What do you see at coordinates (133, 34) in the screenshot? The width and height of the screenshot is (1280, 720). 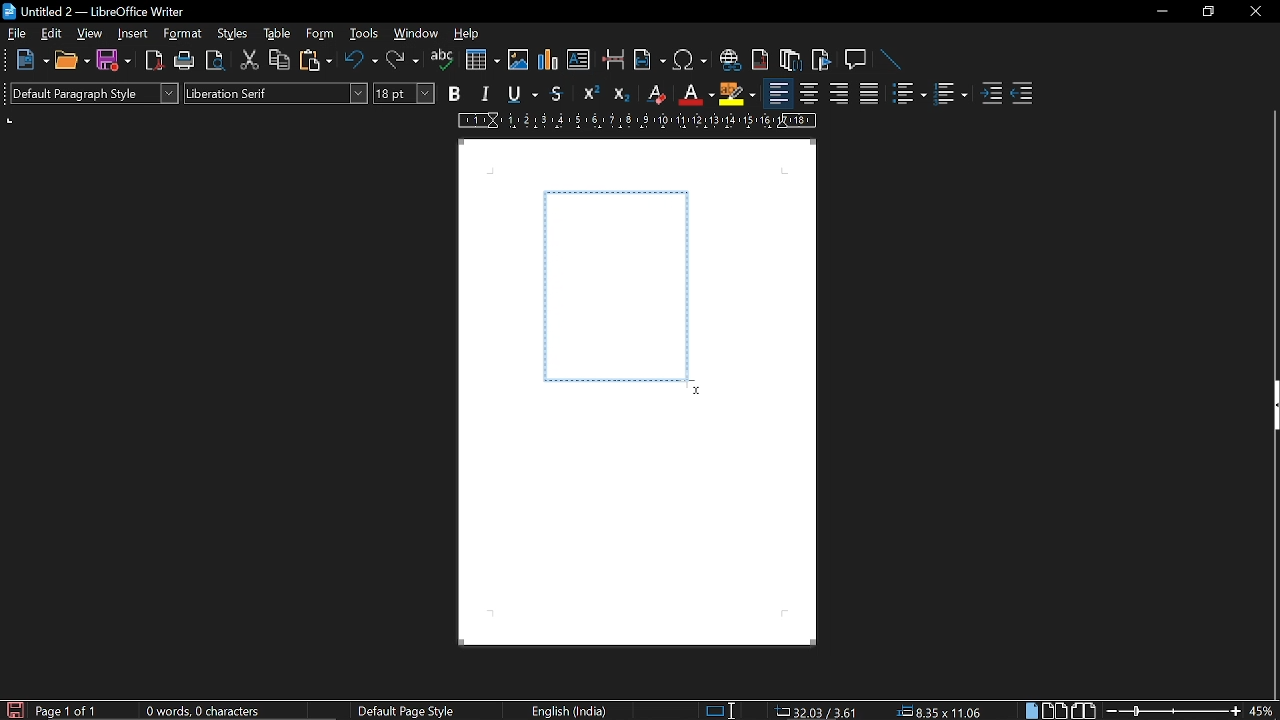 I see `insert` at bounding box center [133, 34].